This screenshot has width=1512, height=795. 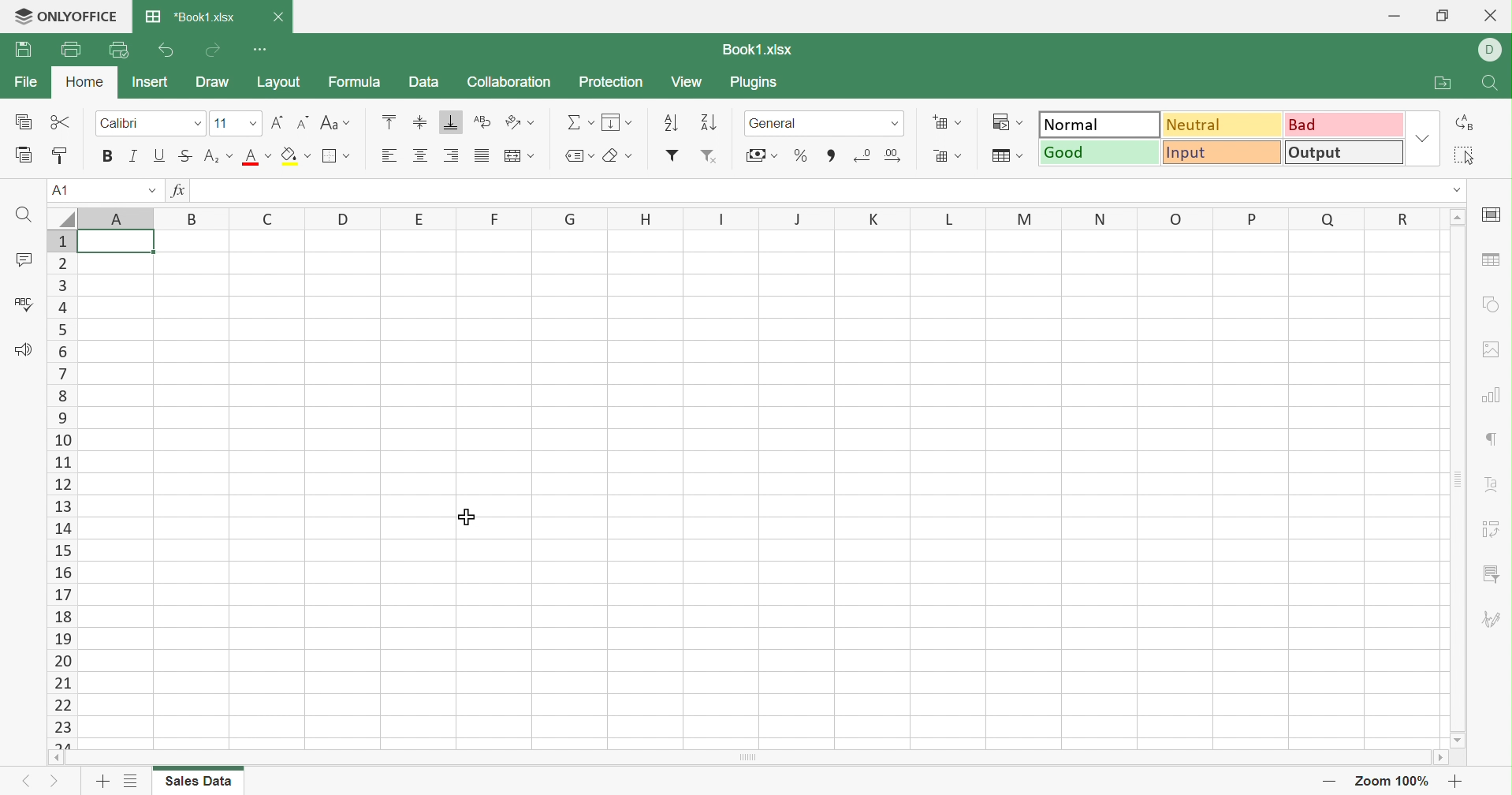 I want to click on Output, so click(x=1344, y=152).